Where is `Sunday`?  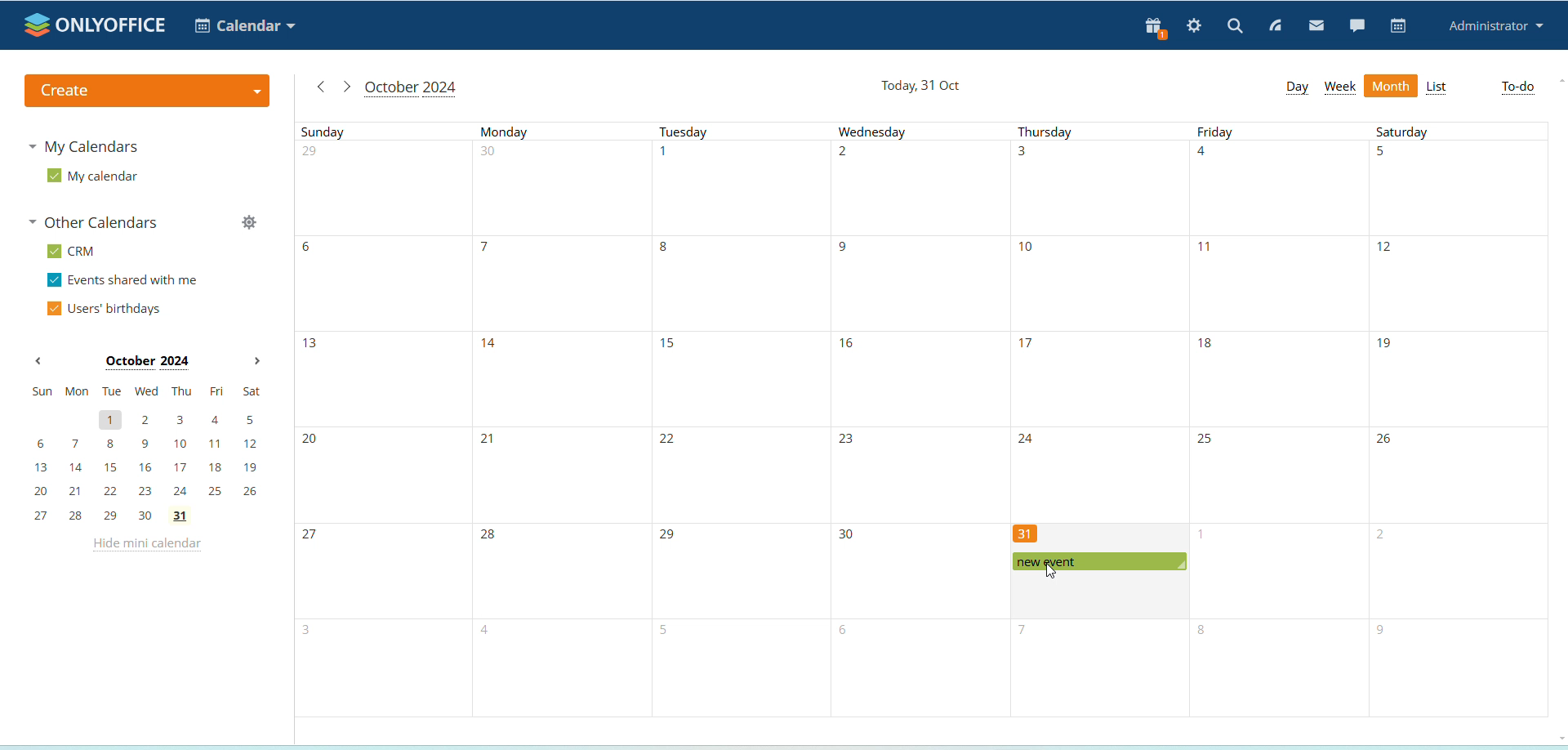
Sunday is located at coordinates (381, 418).